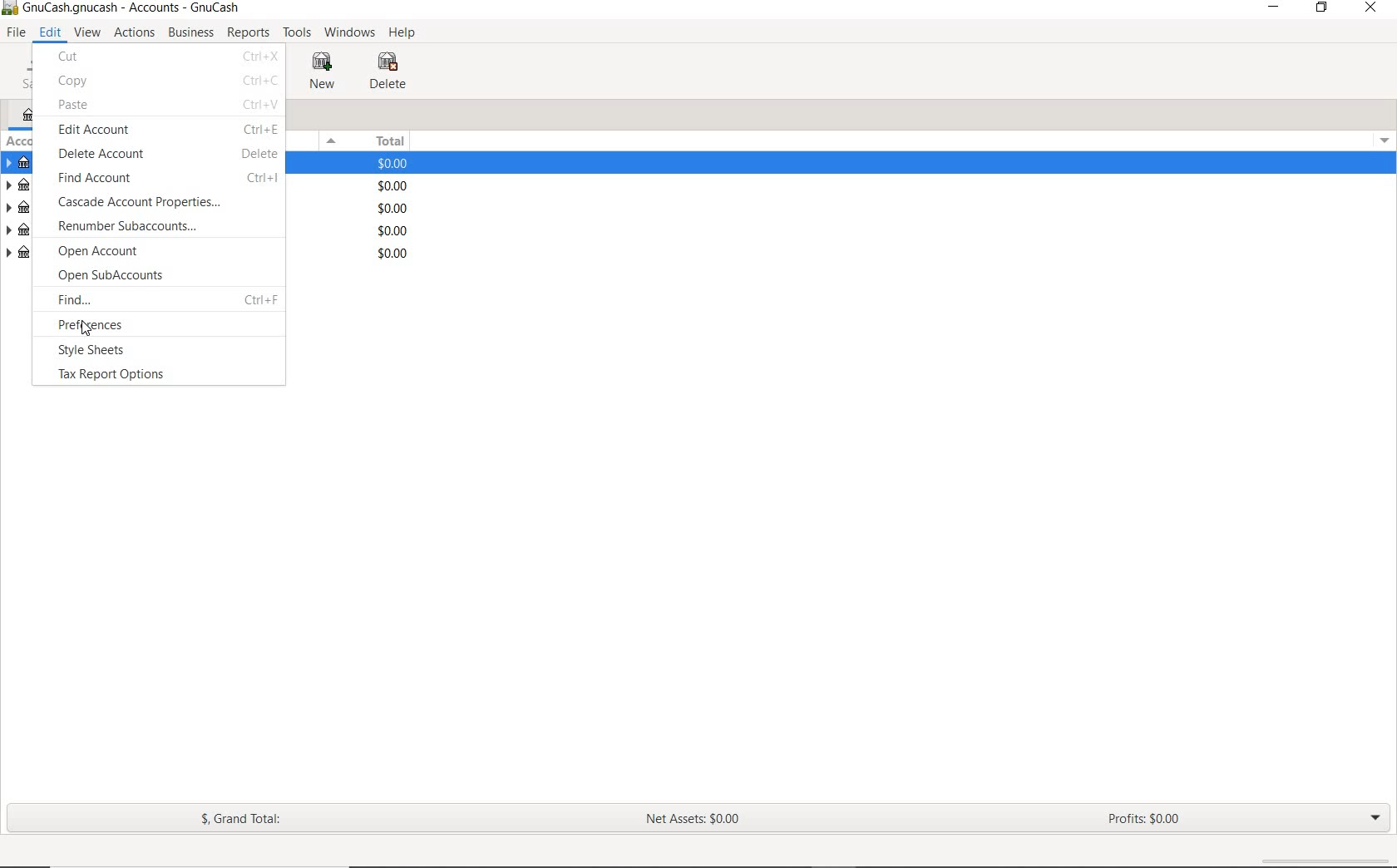 The height and width of the screenshot is (868, 1397). Describe the element at coordinates (329, 141) in the screenshot. I see `Menu` at that location.